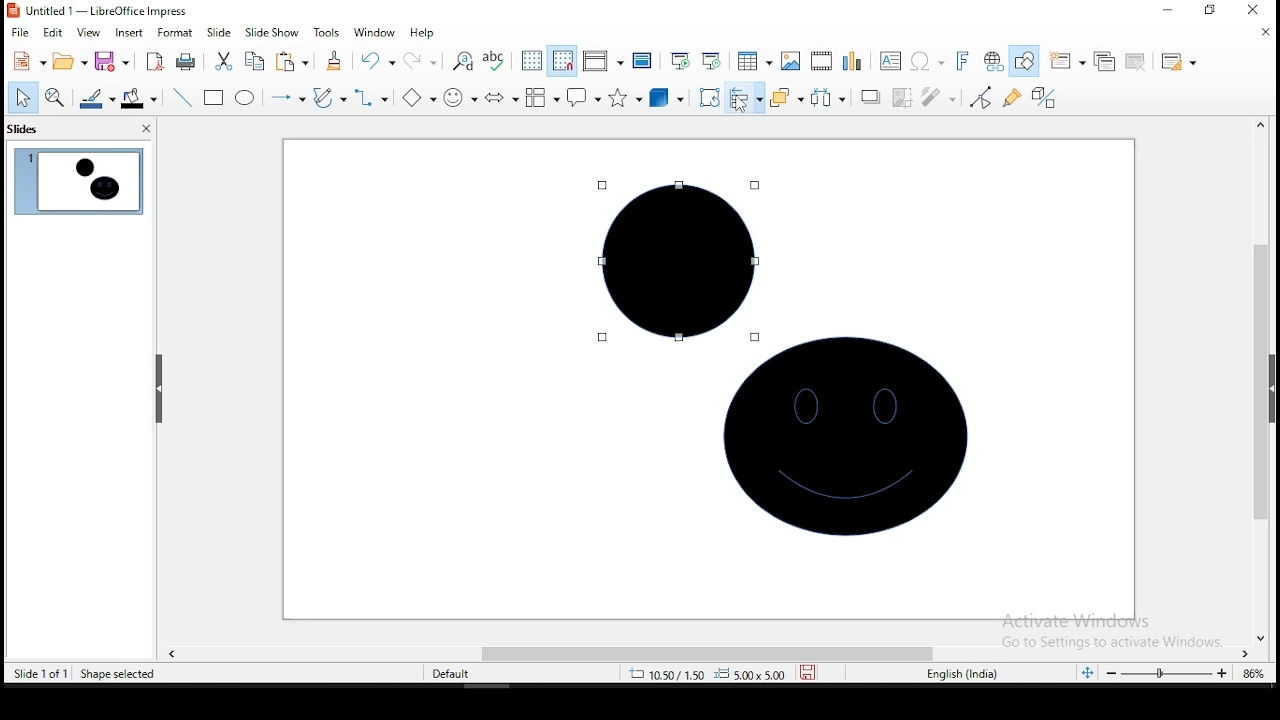 The height and width of the screenshot is (720, 1280). I want to click on slide, so click(219, 32).